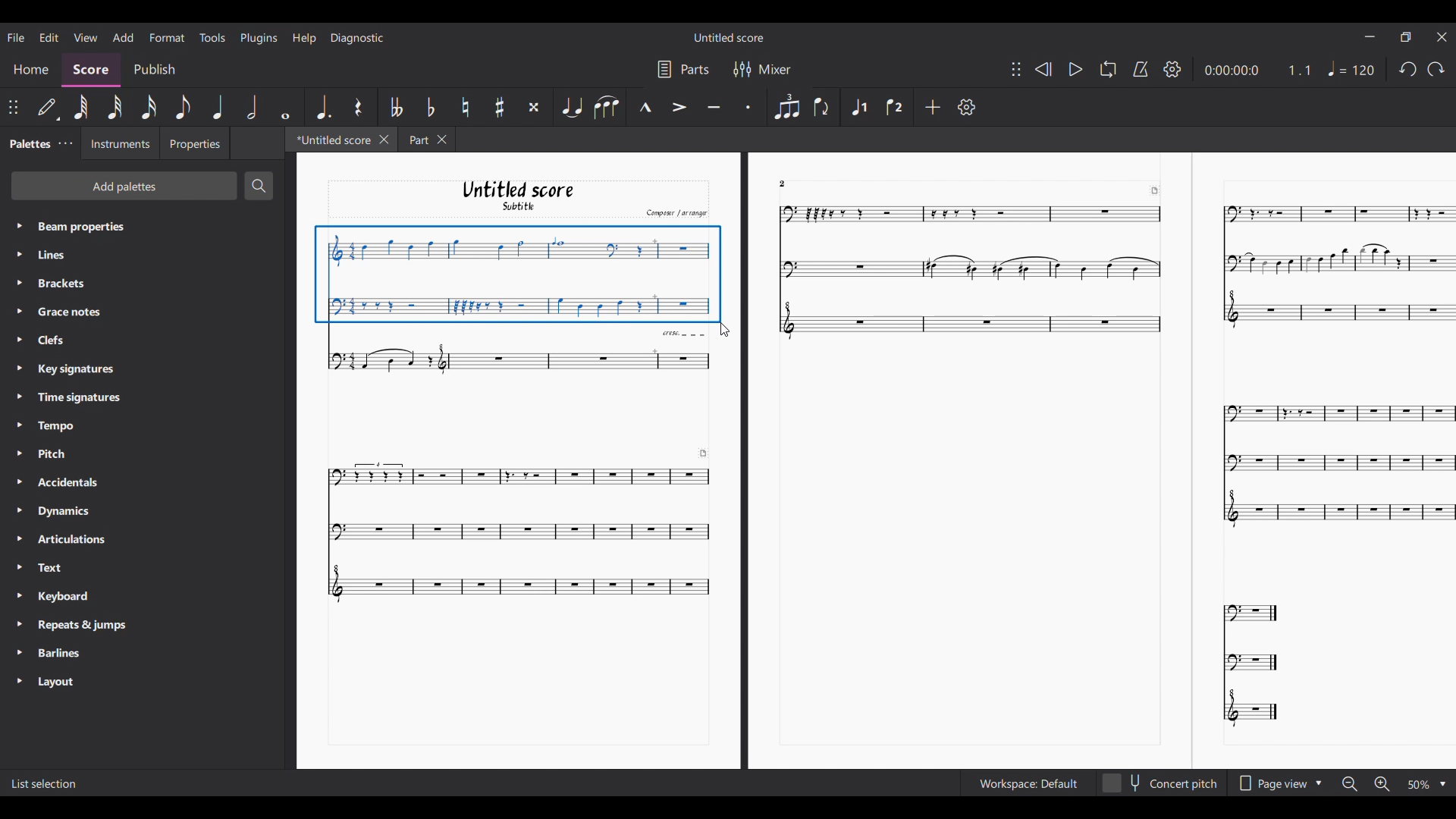 The width and height of the screenshot is (1456, 819). What do you see at coordinates (1338, 307) in the screenshot?
I see `` at bounding box center [1338, 307].